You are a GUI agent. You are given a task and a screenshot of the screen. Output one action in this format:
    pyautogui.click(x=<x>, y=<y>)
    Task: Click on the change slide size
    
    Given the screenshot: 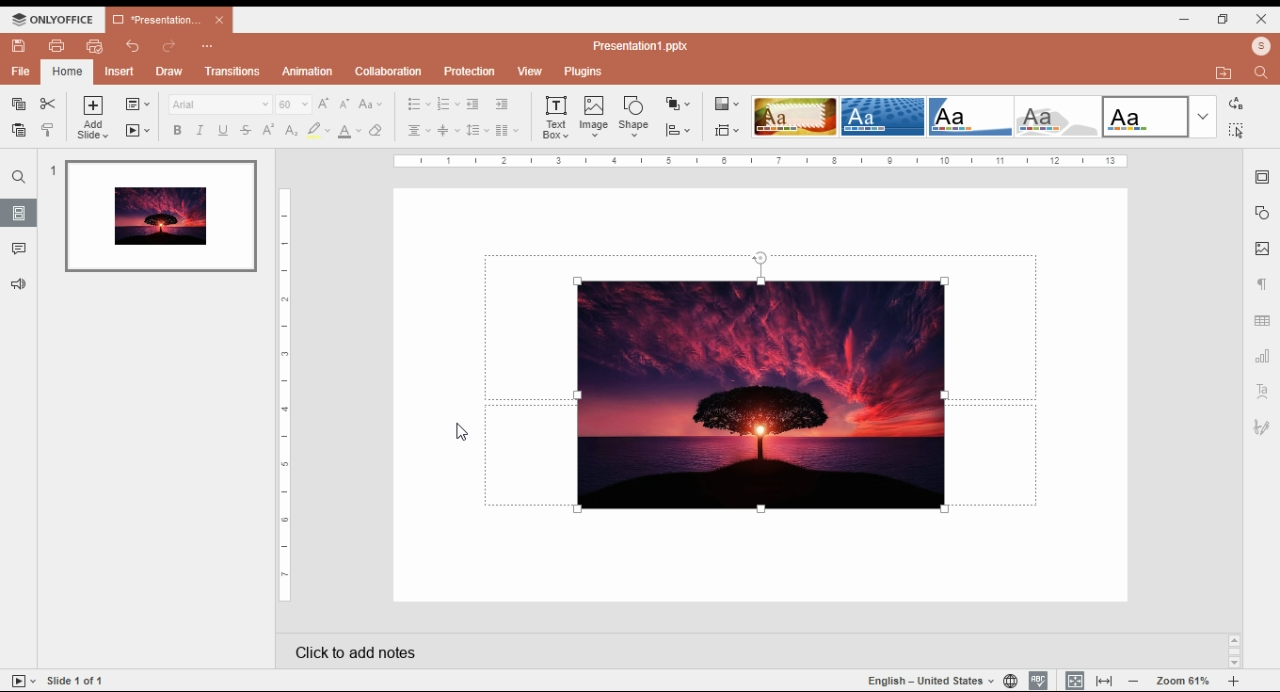 What is the action you would take?
    pyautogui.click(x=725, y=130)
    